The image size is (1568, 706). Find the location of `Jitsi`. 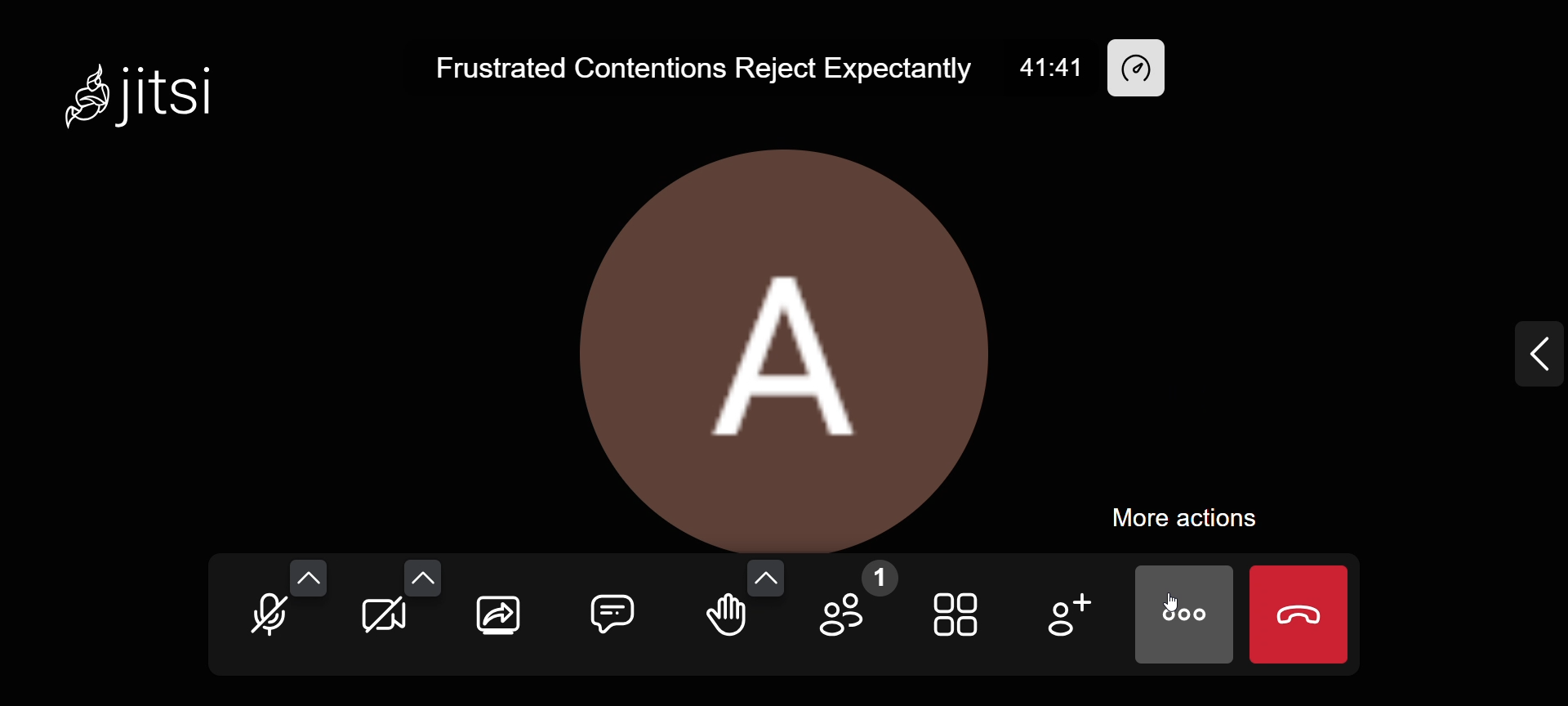

Jitsi is located at coordinates (151, 92).